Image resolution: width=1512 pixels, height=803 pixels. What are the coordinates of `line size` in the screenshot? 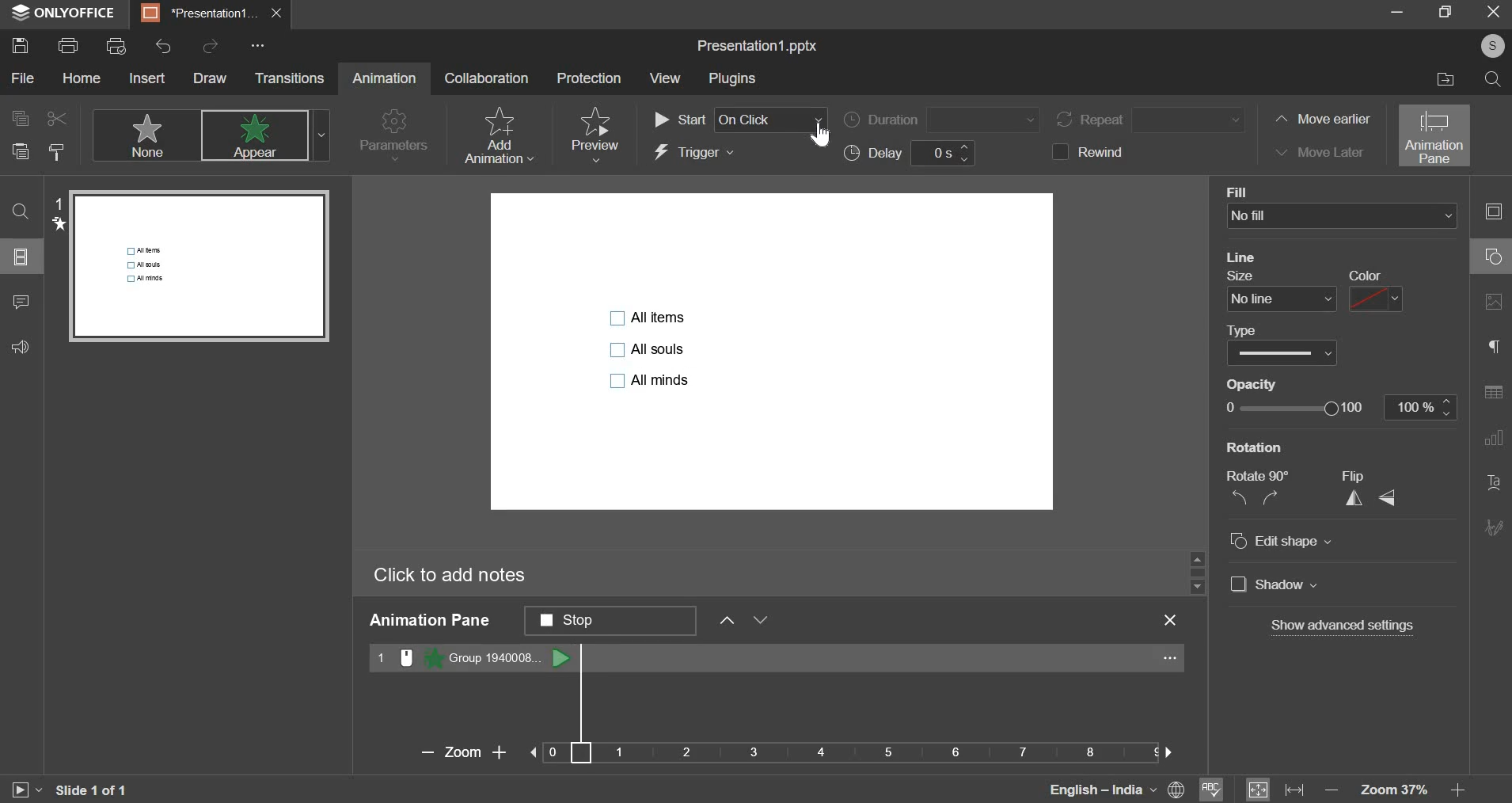 It's located at (1282, 299).